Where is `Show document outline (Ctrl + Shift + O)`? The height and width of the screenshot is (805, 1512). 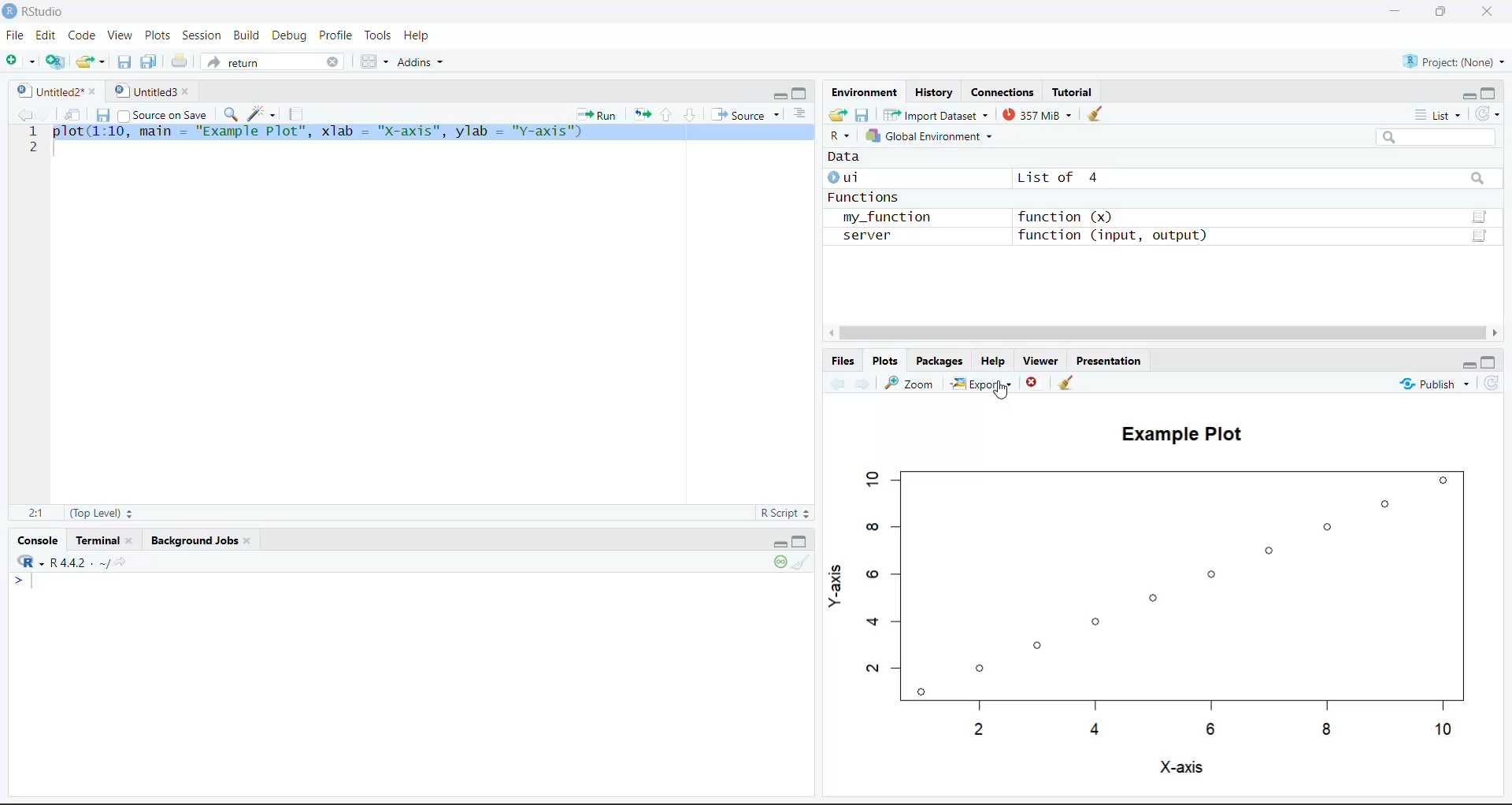 Show document outline (Ctrl + Shift + O) is located at coordinates (798, 113).